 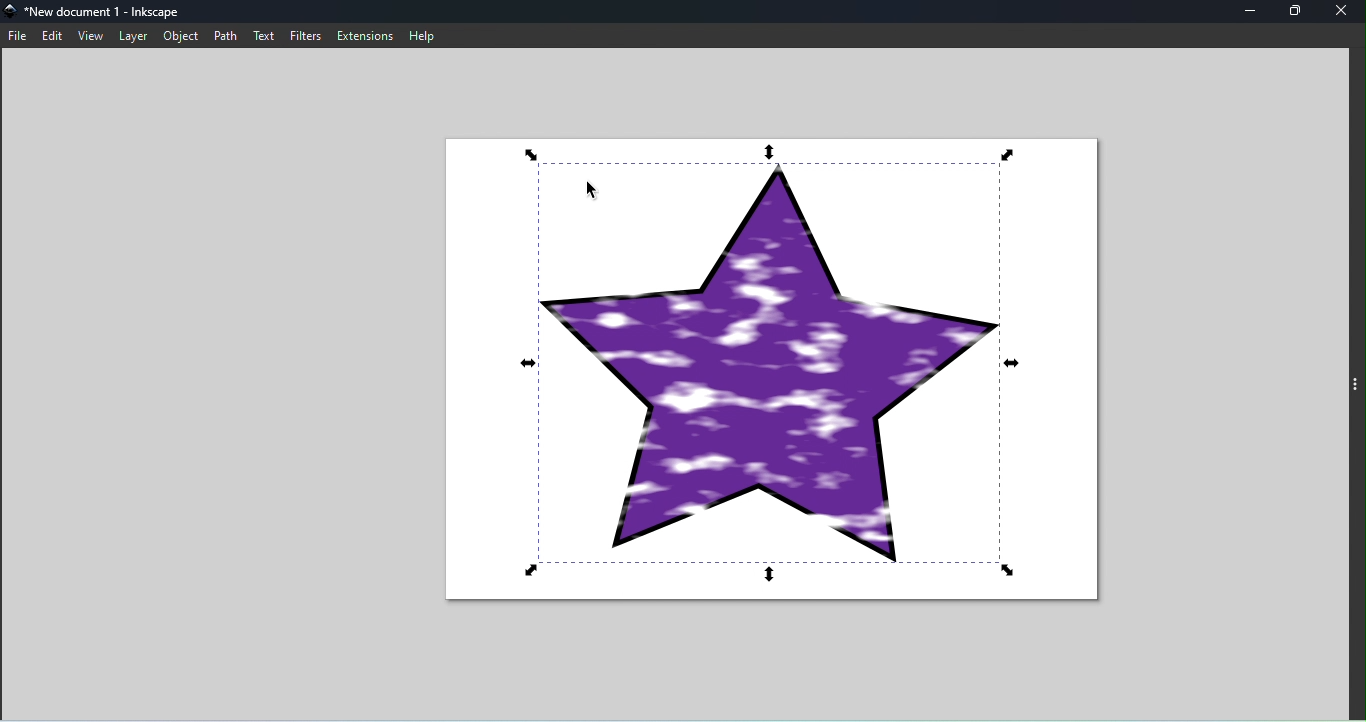 I want to click on toggle command panel, so click(x=1357, y=388).